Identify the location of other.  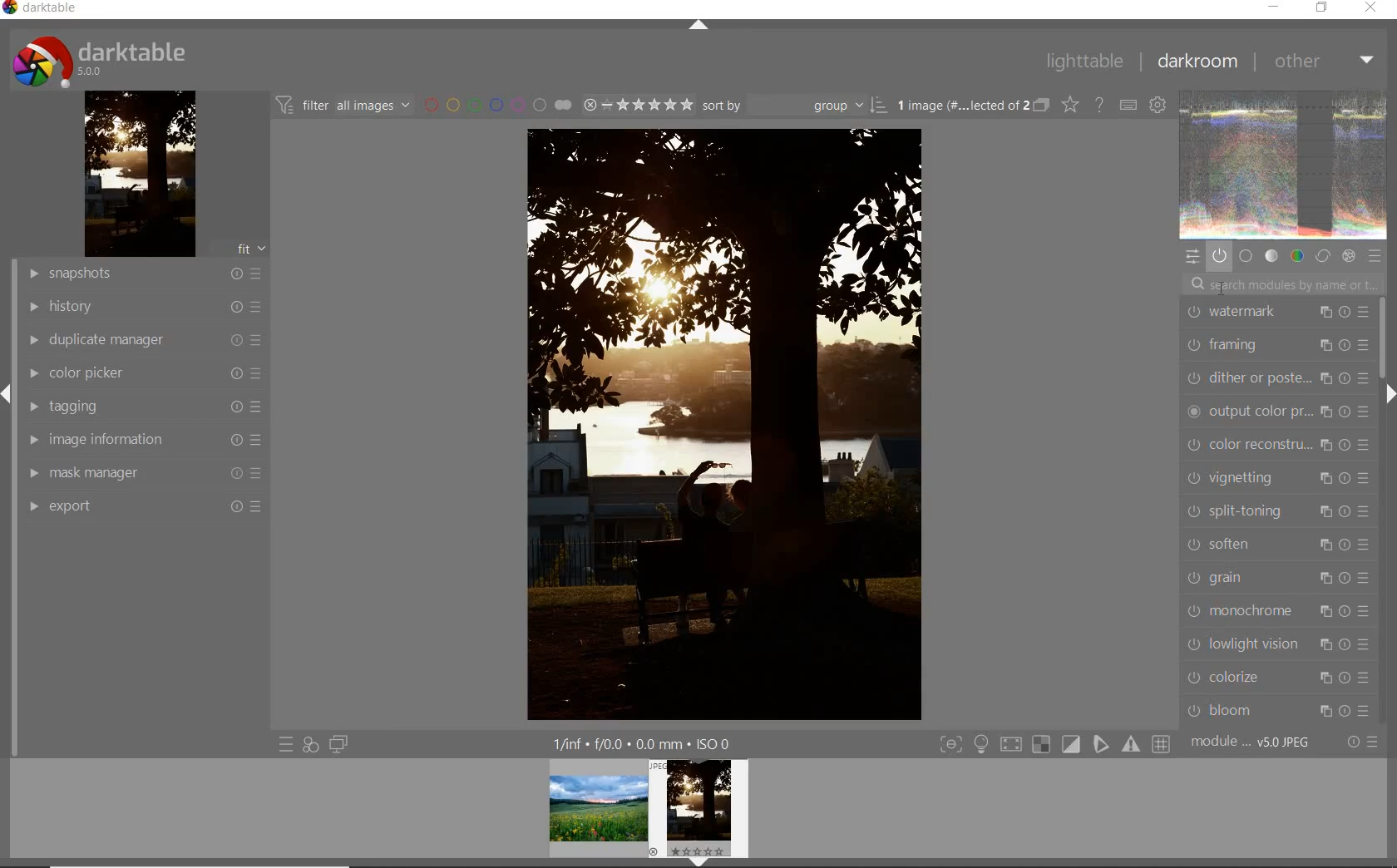
(1320, 60).